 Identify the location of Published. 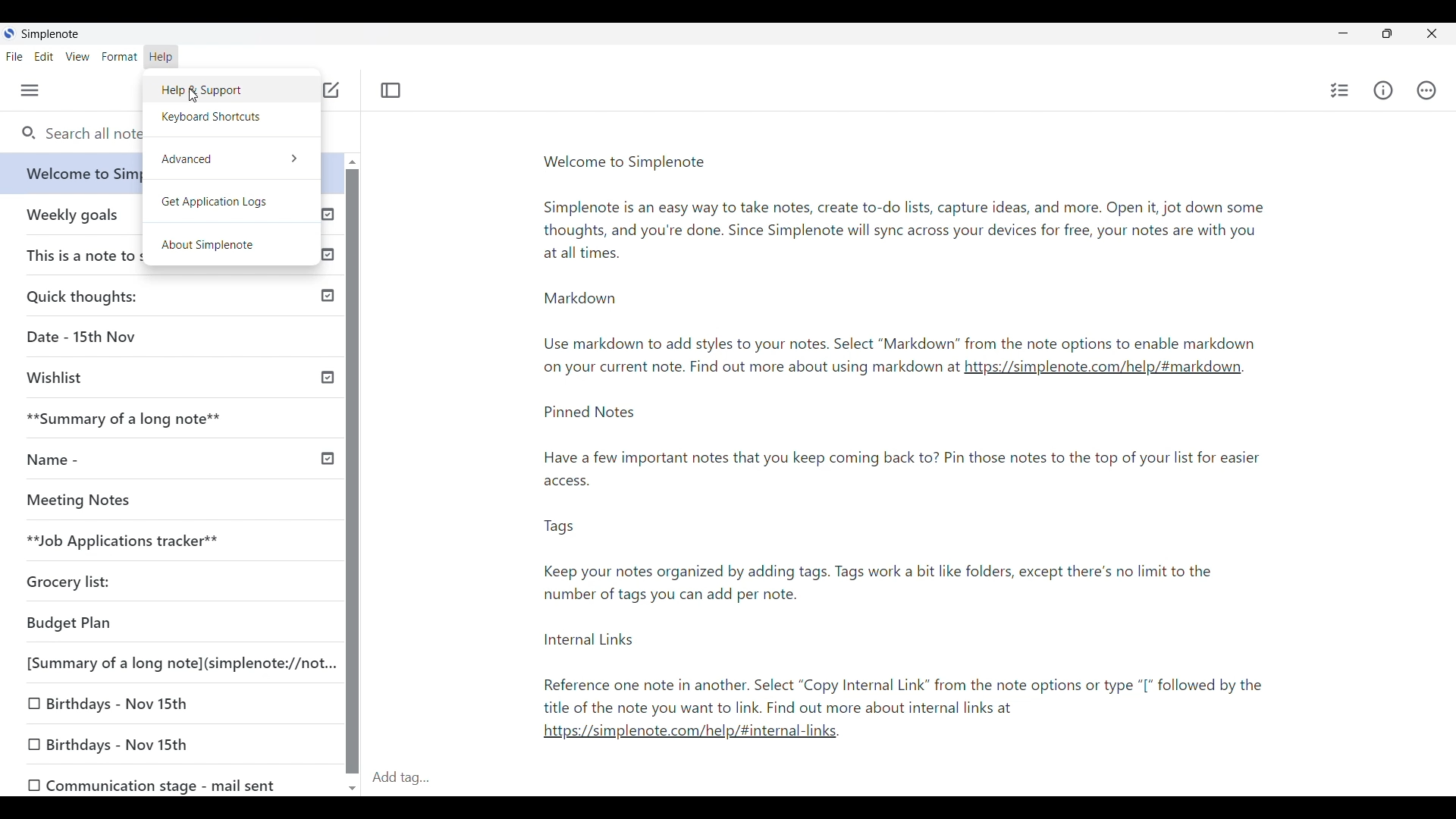
(329, 300).